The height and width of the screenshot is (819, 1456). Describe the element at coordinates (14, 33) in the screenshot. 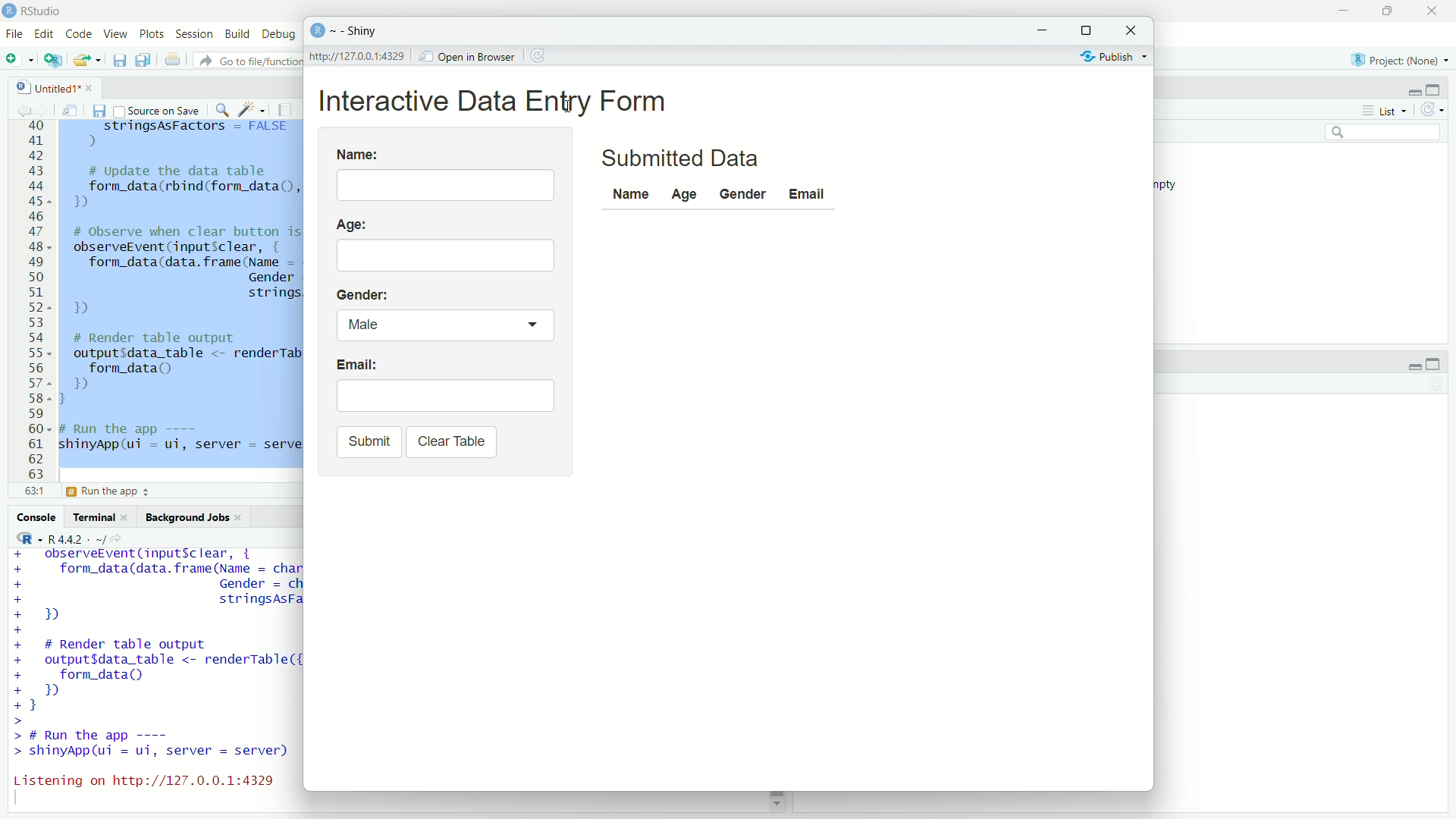

I see `File` at that location.